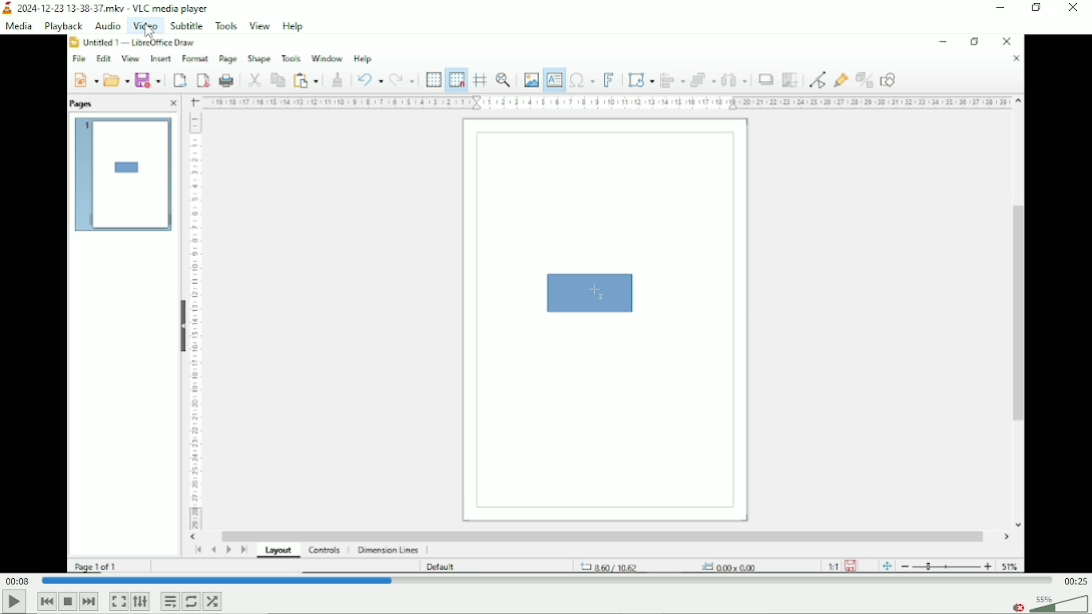 The width and height of the screenshot is (1092, 614). What do you see at coordinates (545, 305) in the screenshot?
I see `Video` at bounding box center [545, 305].